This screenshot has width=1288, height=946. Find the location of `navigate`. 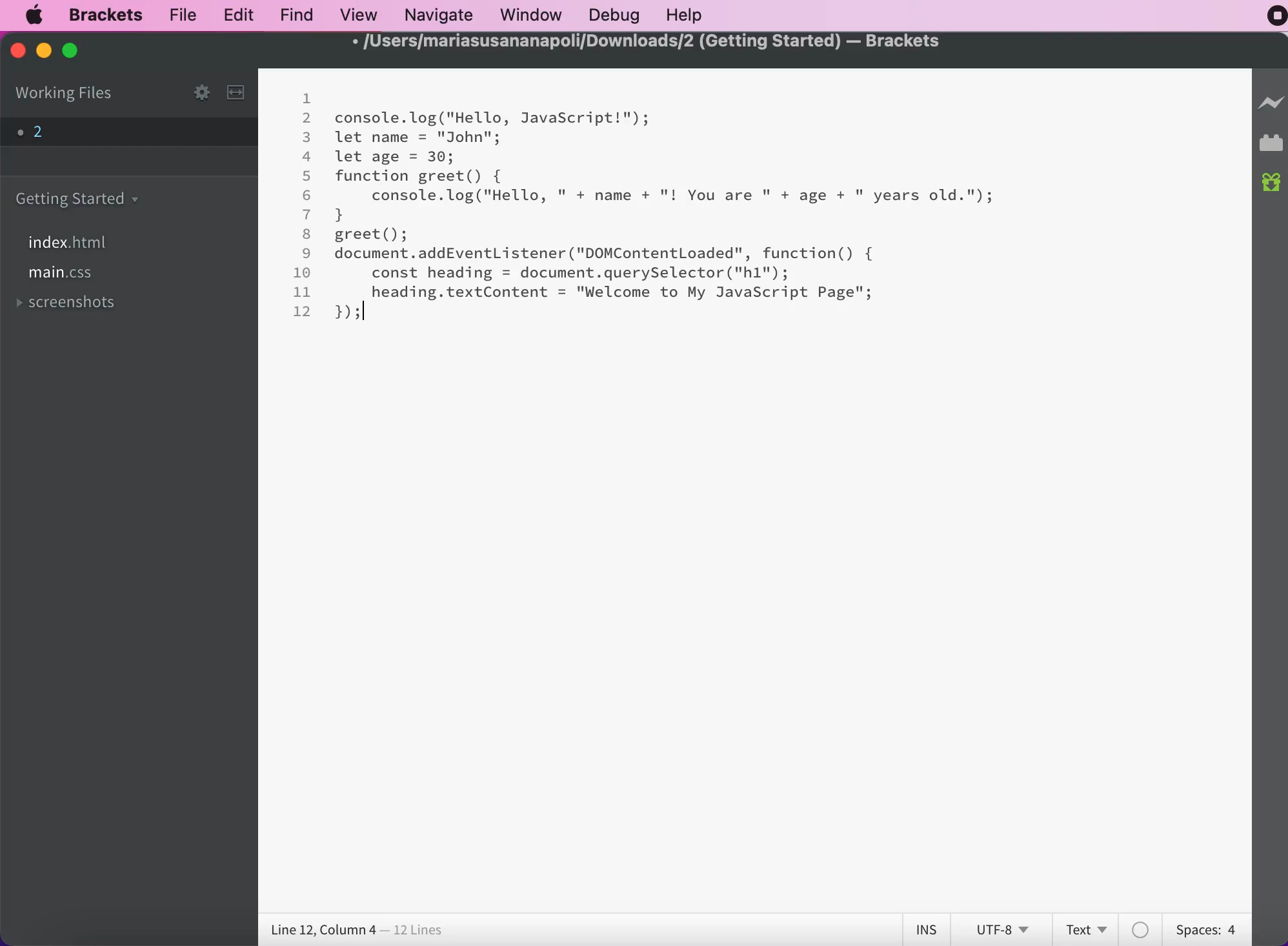

navigate is located at coordinates (436, 16).